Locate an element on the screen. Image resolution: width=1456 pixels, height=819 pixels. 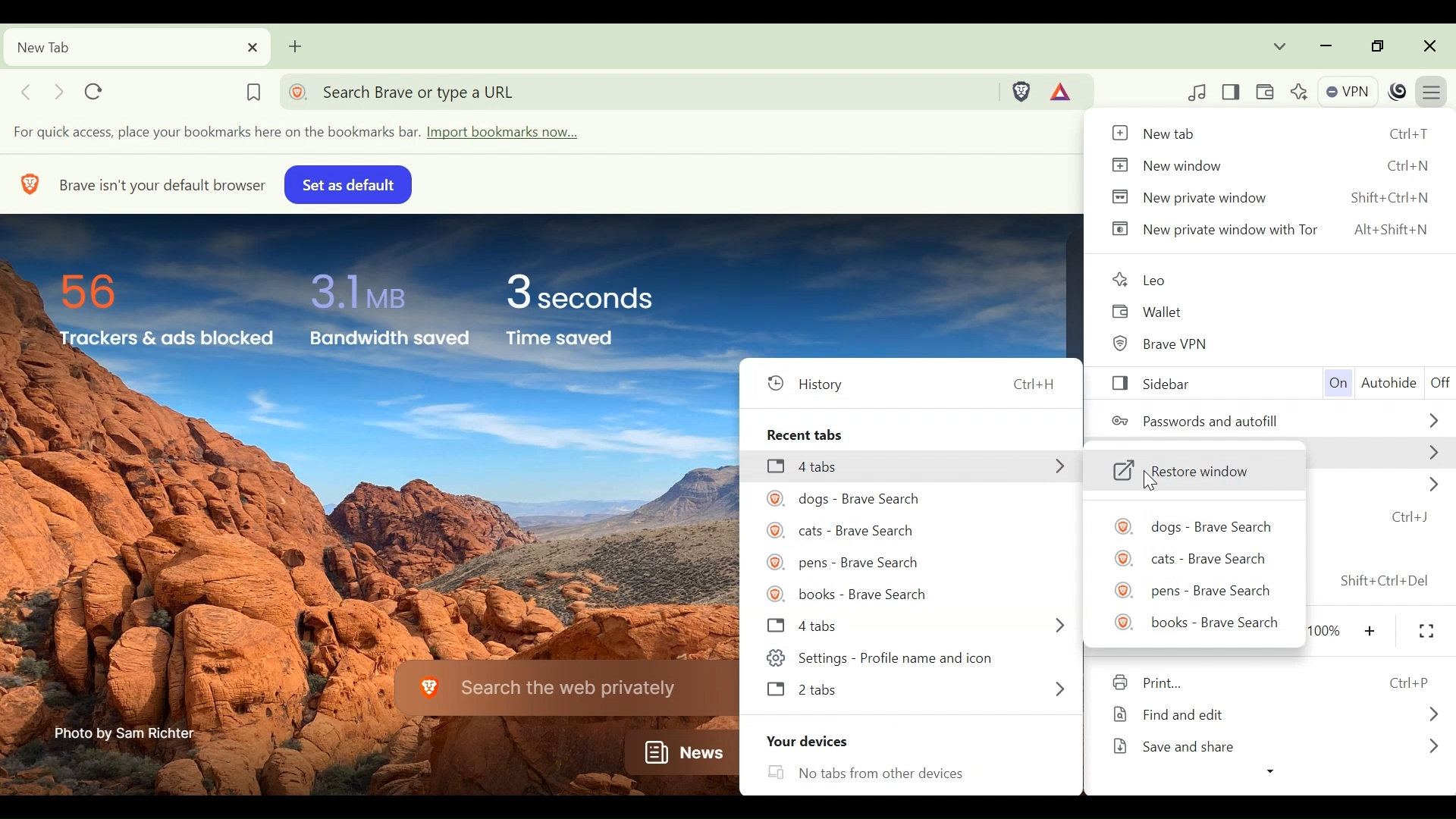
Find and edit is located at coordinates (1183, 715).